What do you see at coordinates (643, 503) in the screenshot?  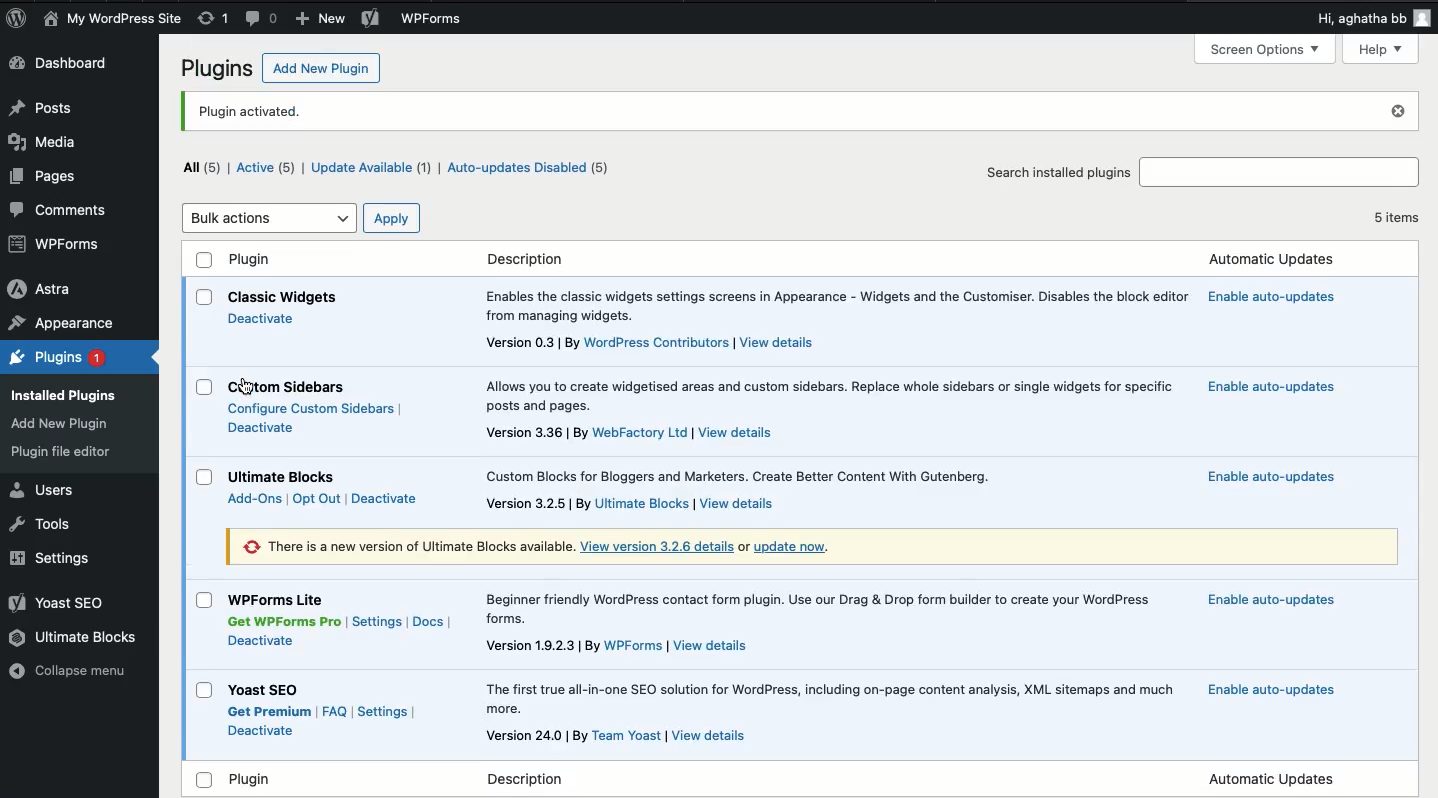 I see `ultimate` at bounding box center [643, 503].